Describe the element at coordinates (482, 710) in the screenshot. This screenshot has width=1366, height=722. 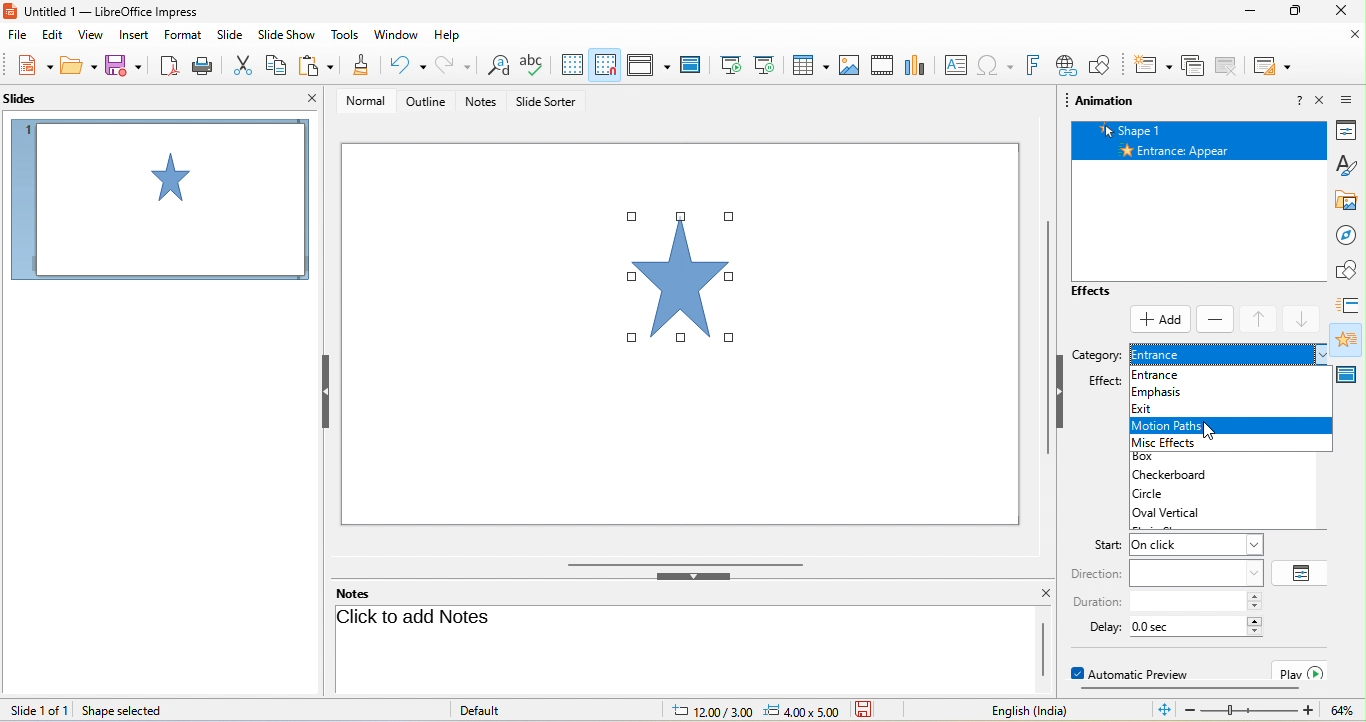
I see `default` at that location.